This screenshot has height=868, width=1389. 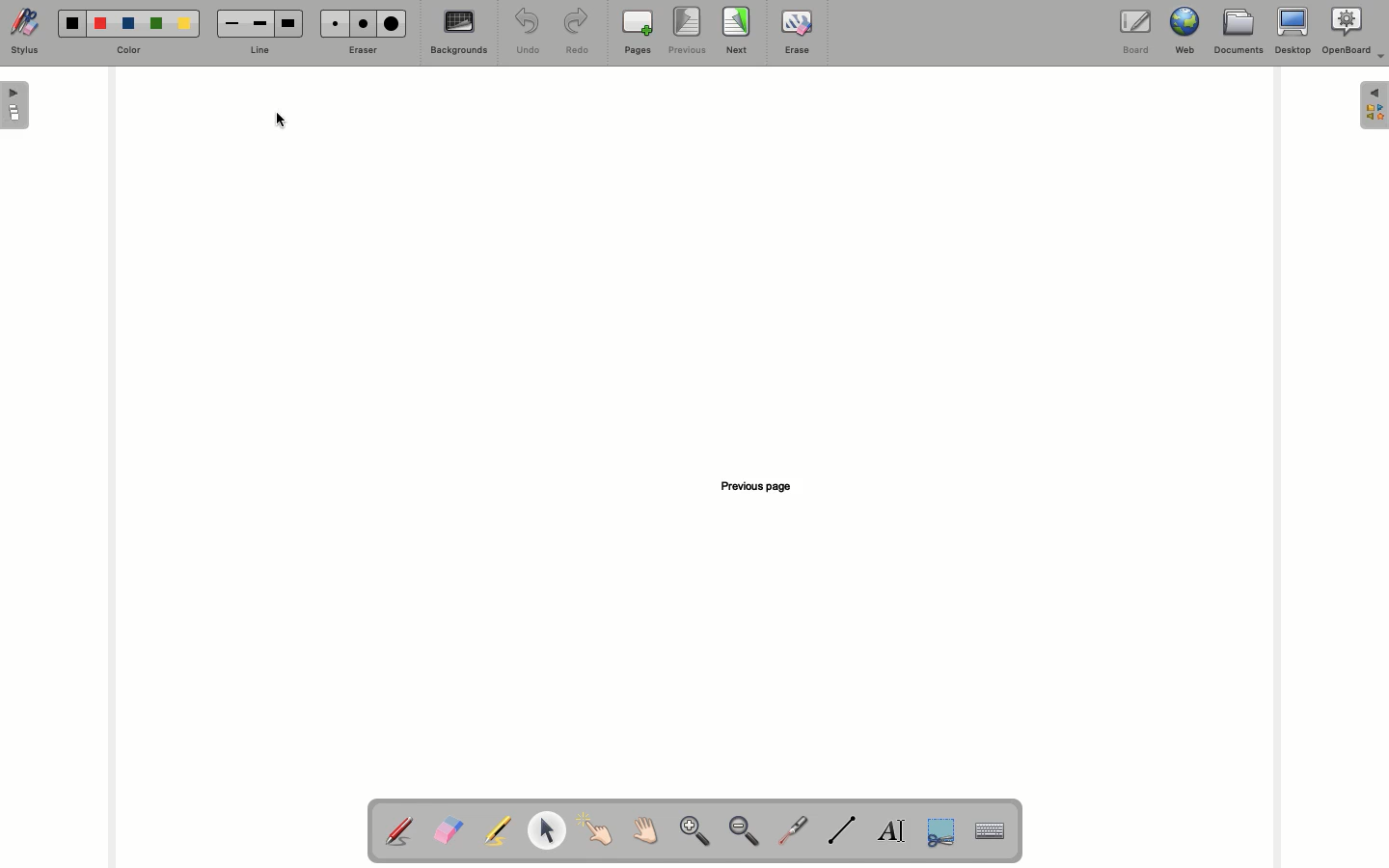 I want to click on Undo, so click(x=529, y=31).